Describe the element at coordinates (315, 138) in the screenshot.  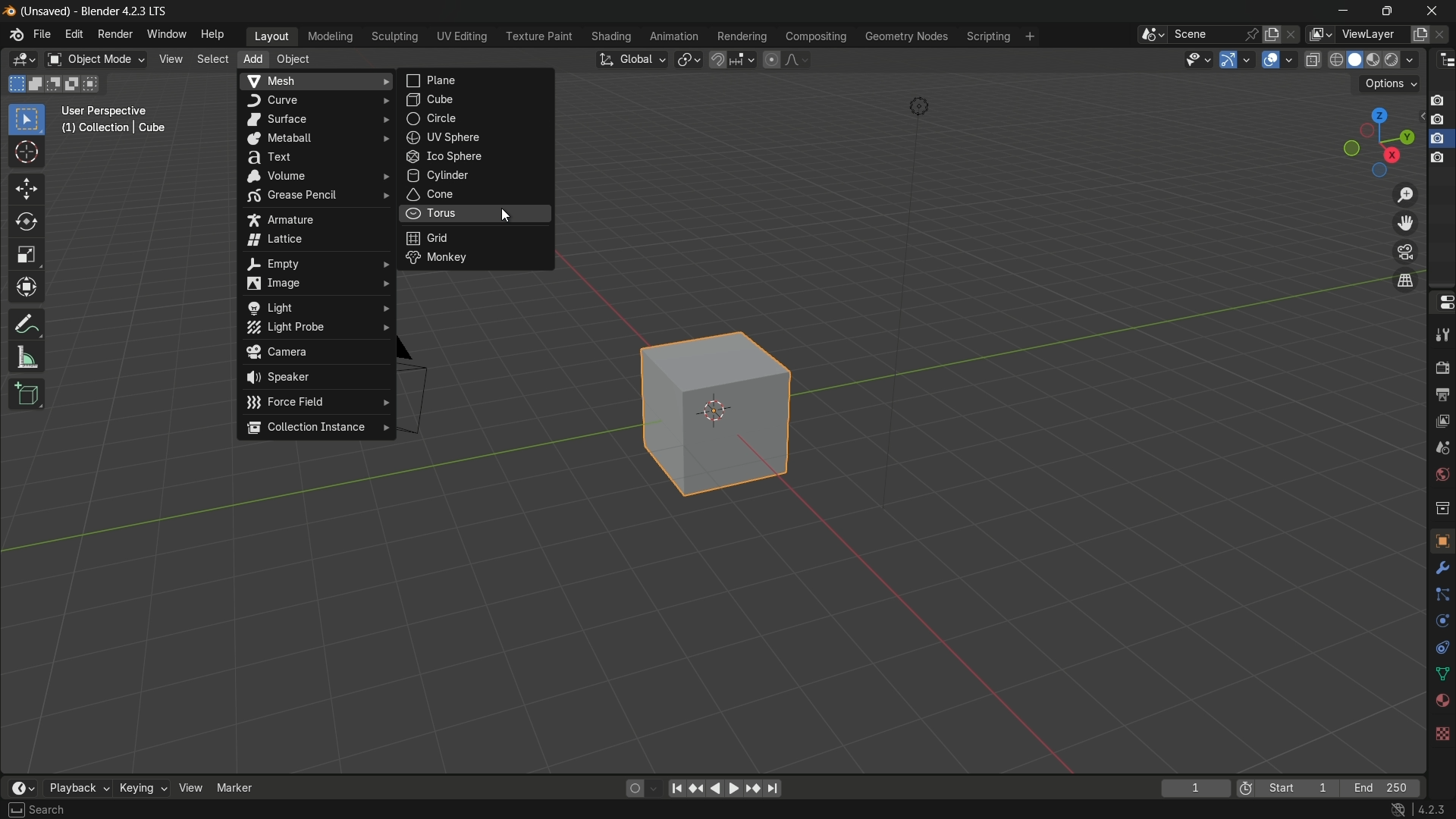
I see `metaball` at that location.